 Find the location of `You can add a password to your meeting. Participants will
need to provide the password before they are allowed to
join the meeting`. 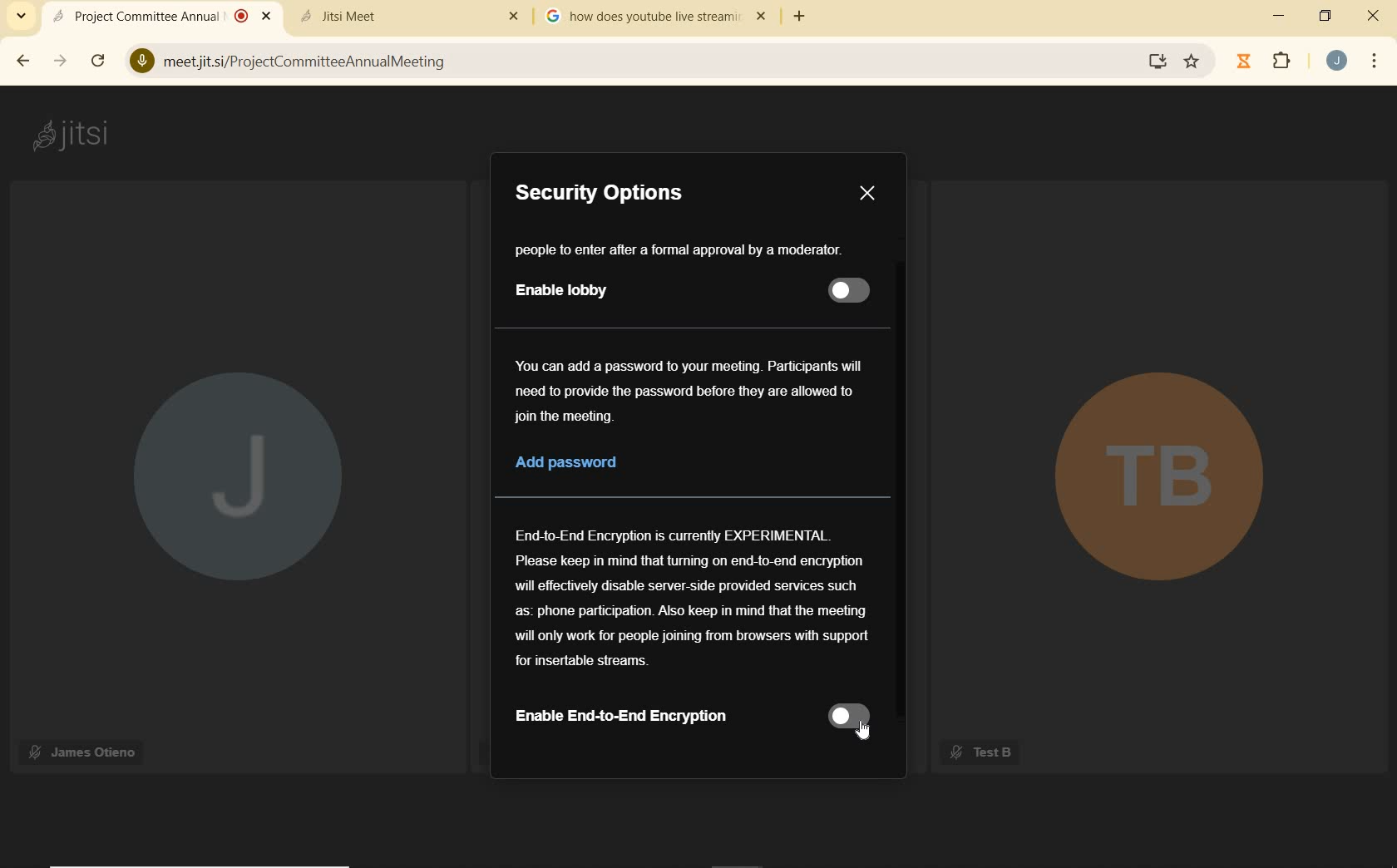

You can add a password to your meeting. Participants will
need to provide the password before they are allowed to
join the meeting is located at coordinates (693, 391).